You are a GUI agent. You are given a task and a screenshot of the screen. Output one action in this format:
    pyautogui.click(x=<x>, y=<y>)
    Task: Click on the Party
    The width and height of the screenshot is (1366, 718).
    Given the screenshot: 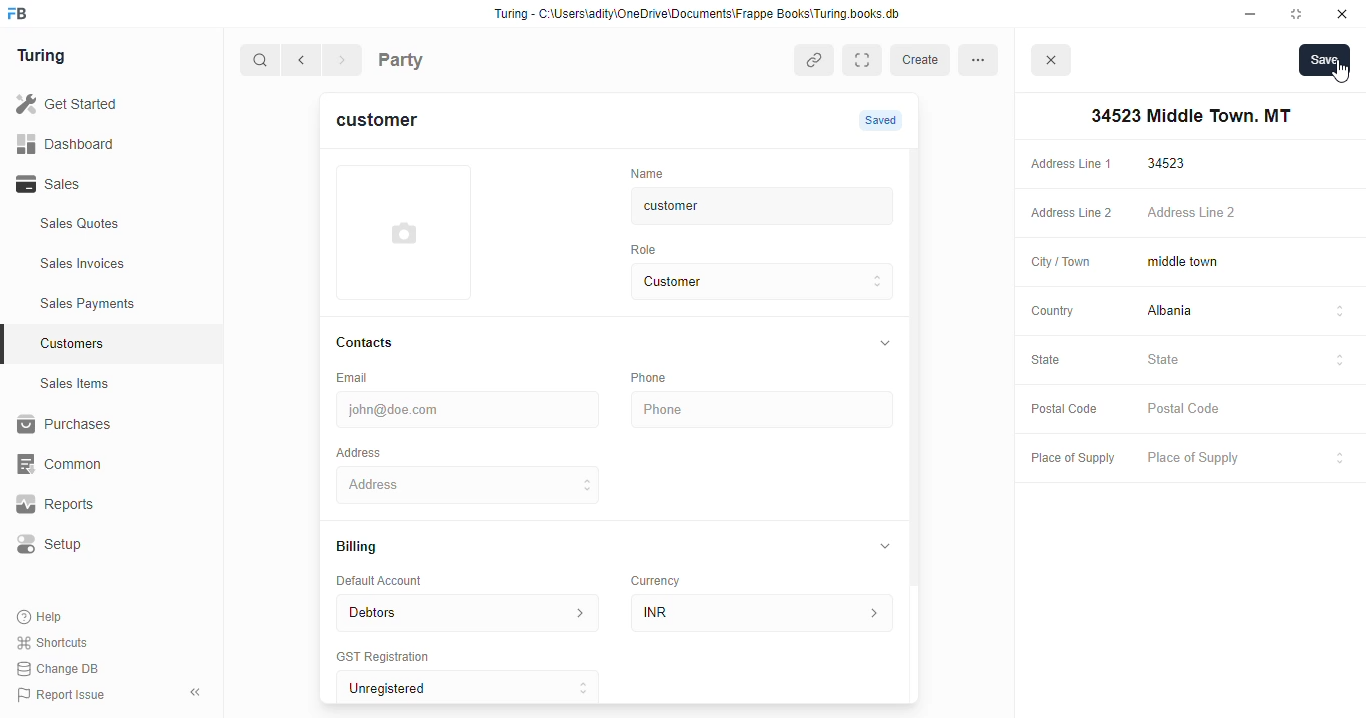 What is the action you would take?
    pyautogui.click(x=442, y=58)
    